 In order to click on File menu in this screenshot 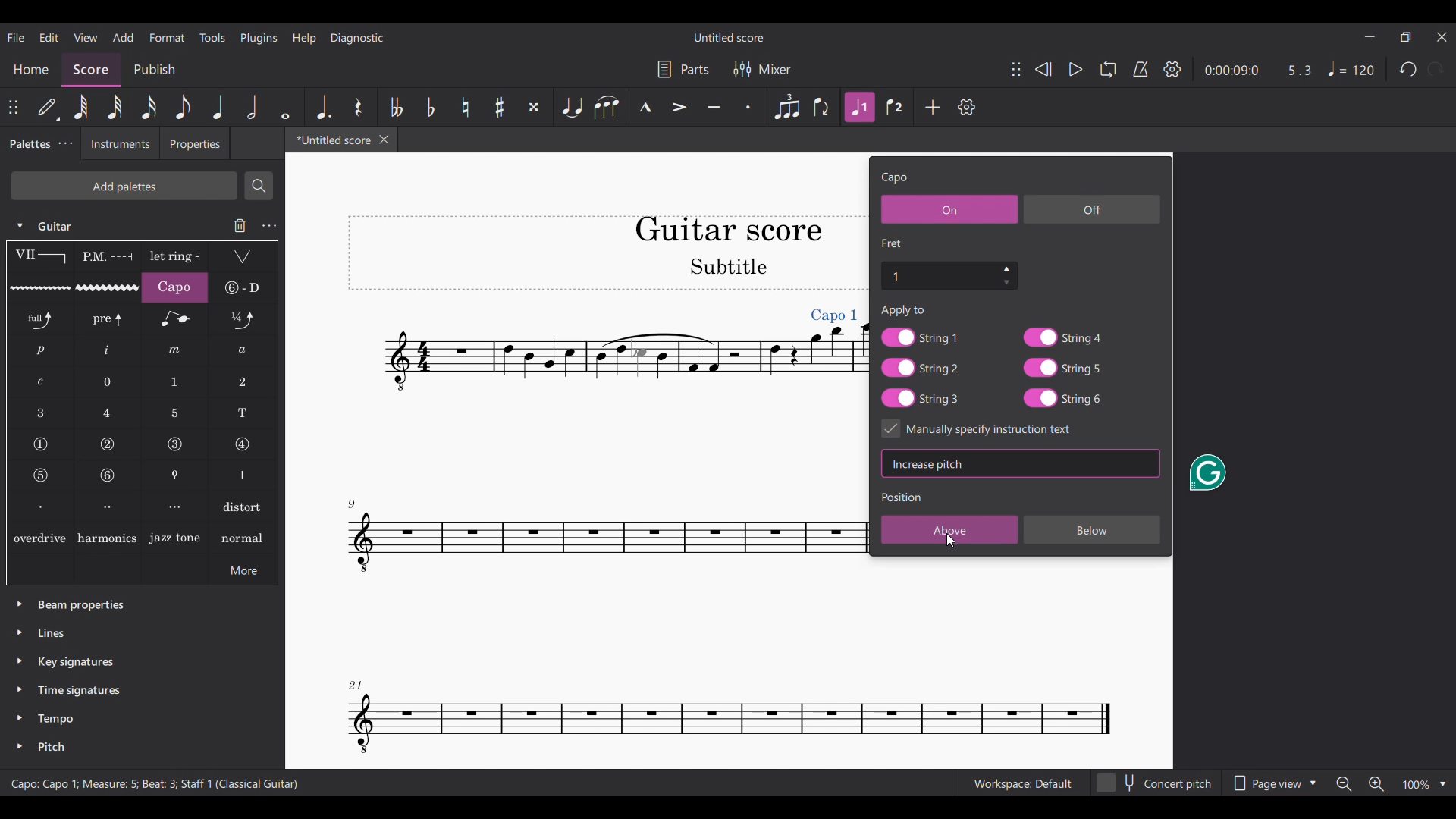, I will do `click(17, 37)`.